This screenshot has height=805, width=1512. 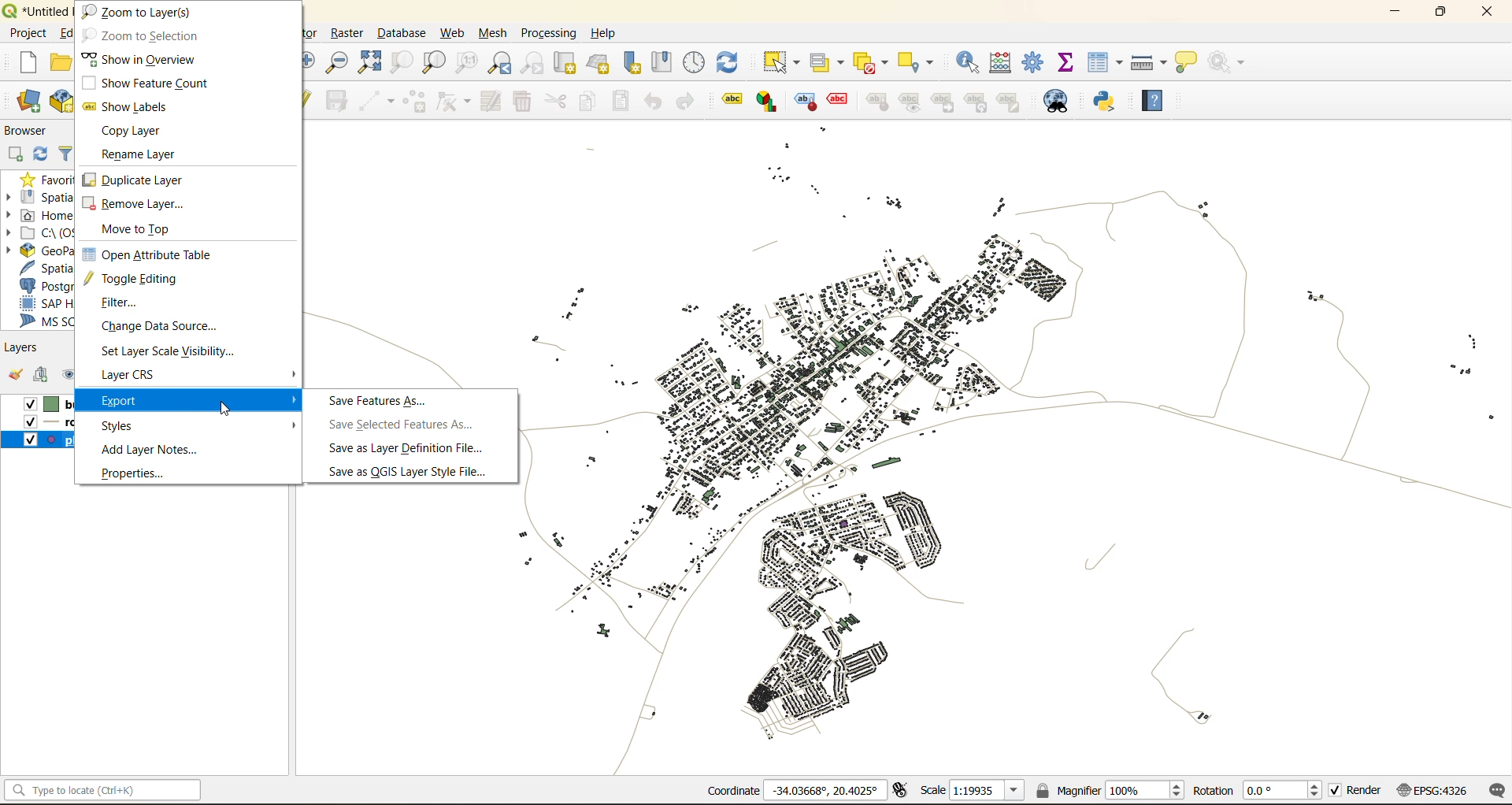 I want to click on map, so click(x=1013, y=466).